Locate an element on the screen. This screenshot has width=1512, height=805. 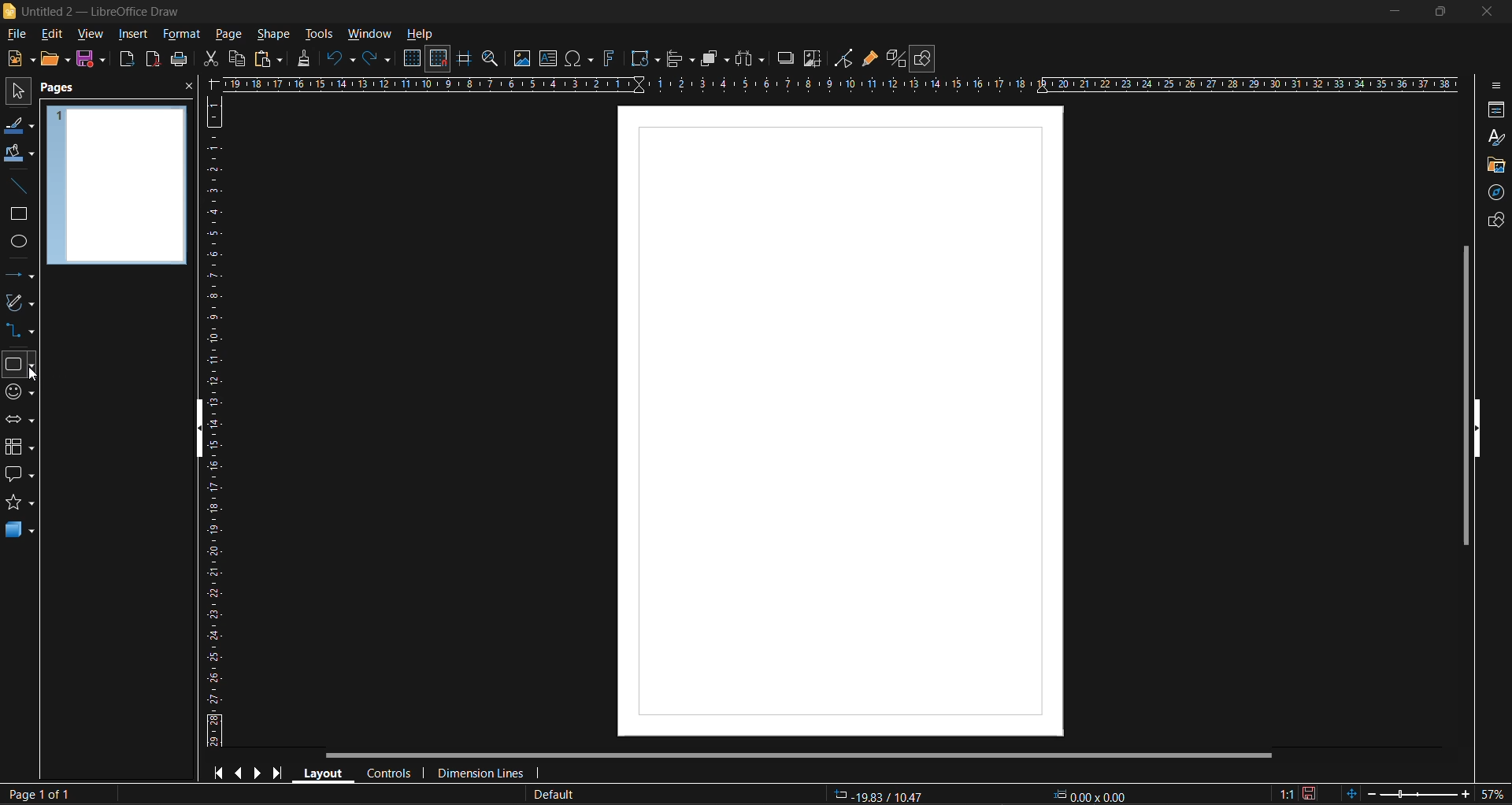
tools is located at coordinates (322, 35).